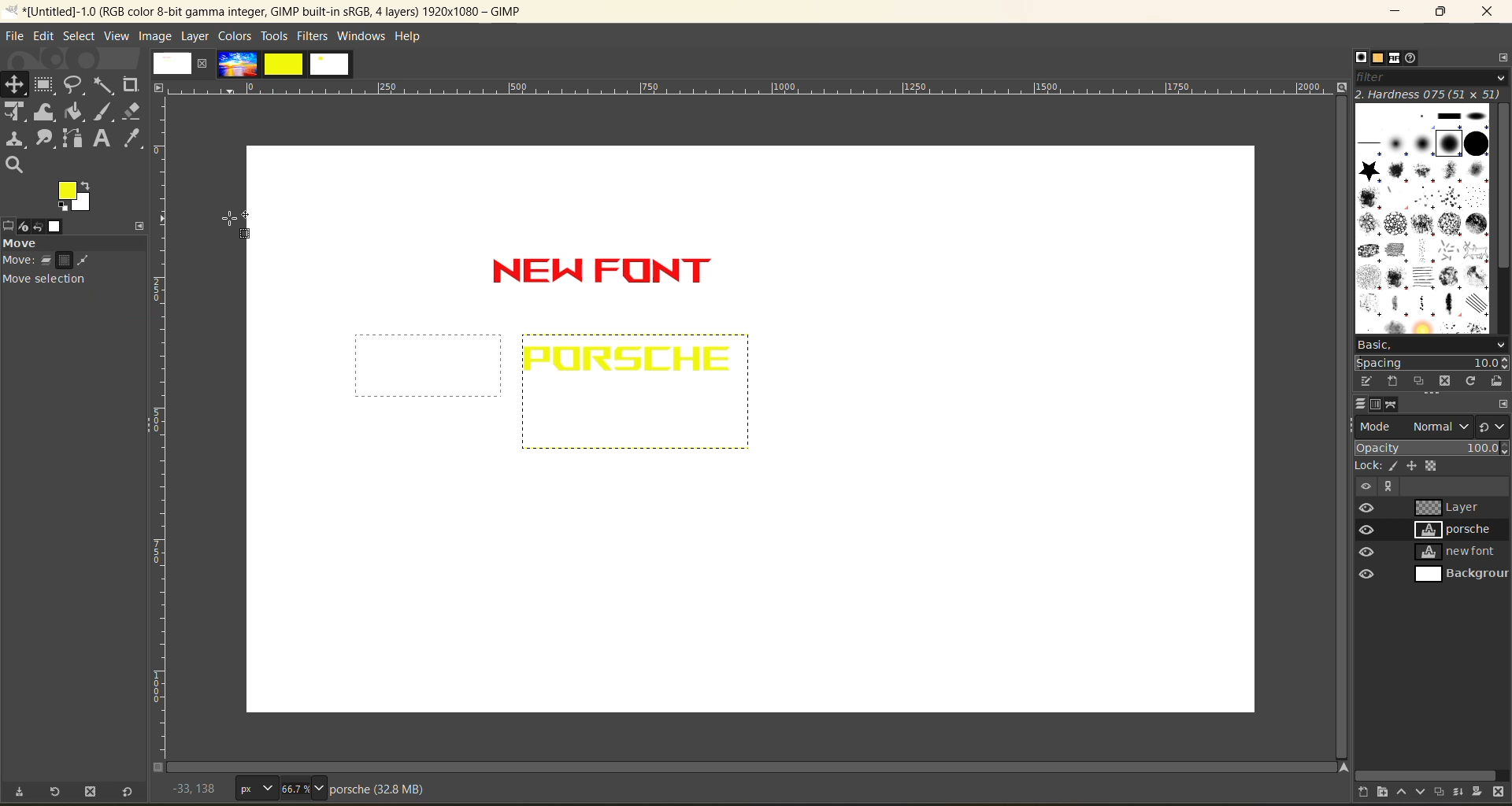 This screenshot has height=806, width=1512. What do you see at coordinates (75, 196) in the screenshot?
I see `active foreground/background color` at bounding box center [75, 196].